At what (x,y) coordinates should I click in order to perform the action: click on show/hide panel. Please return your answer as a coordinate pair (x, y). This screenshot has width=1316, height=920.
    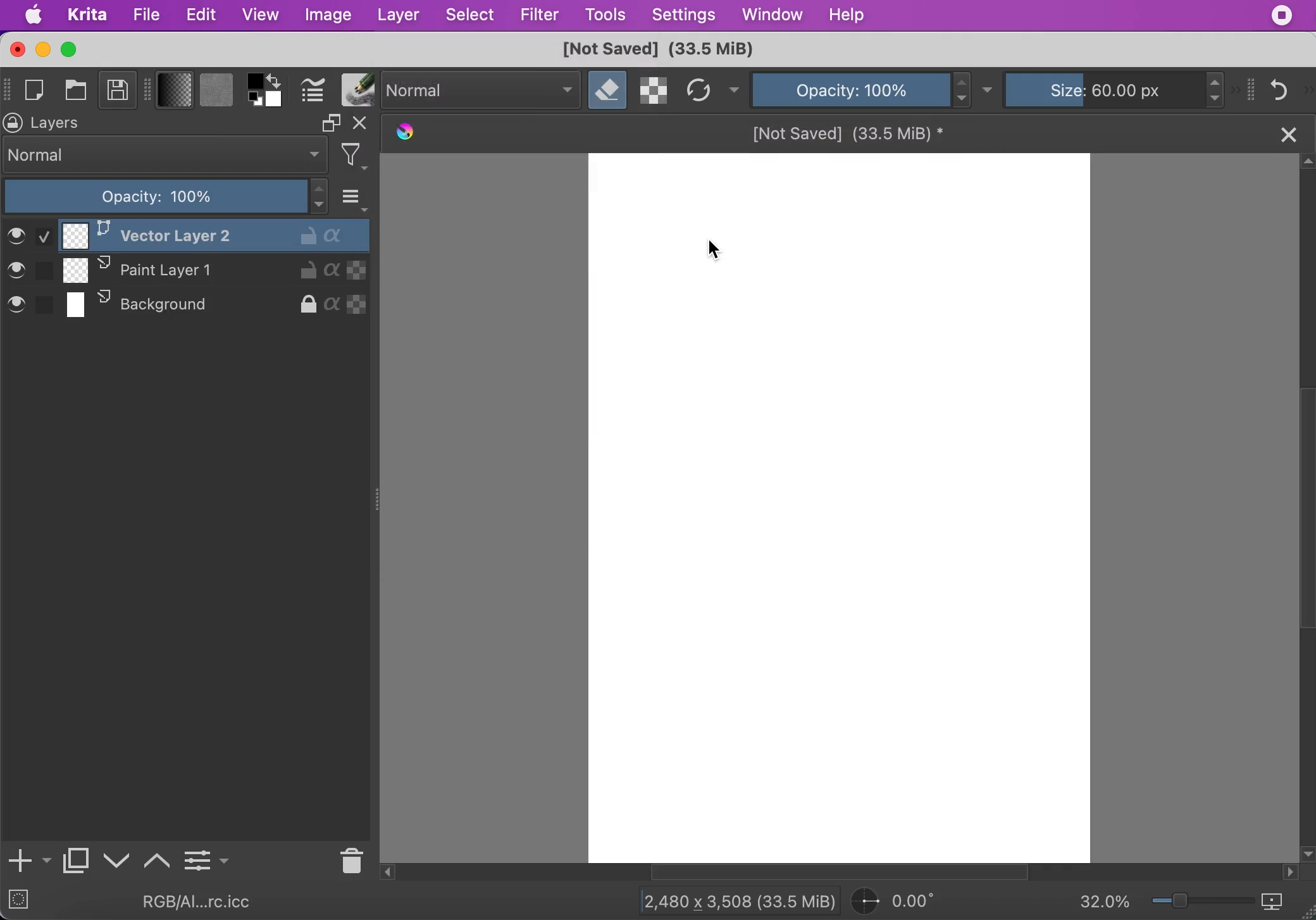
    Looking at the image, I should click on (1252, 89).